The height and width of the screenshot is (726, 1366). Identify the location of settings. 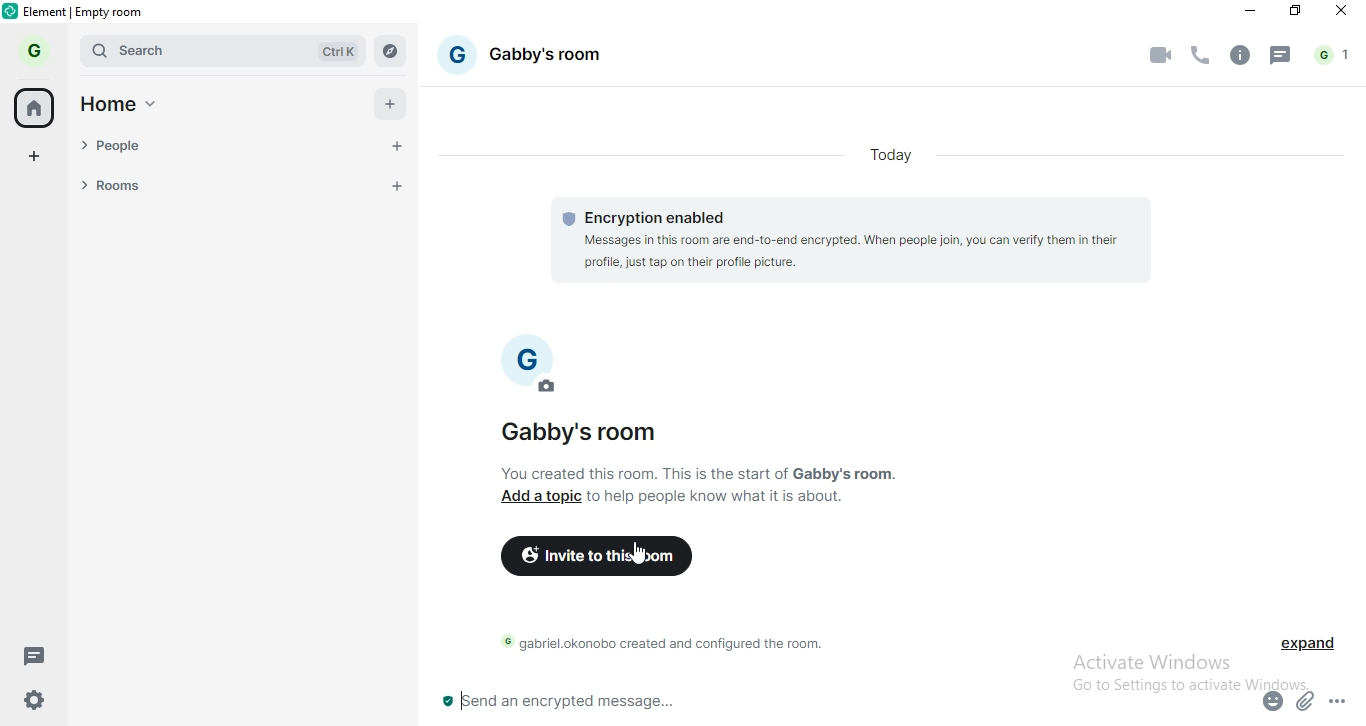
(29, 704).